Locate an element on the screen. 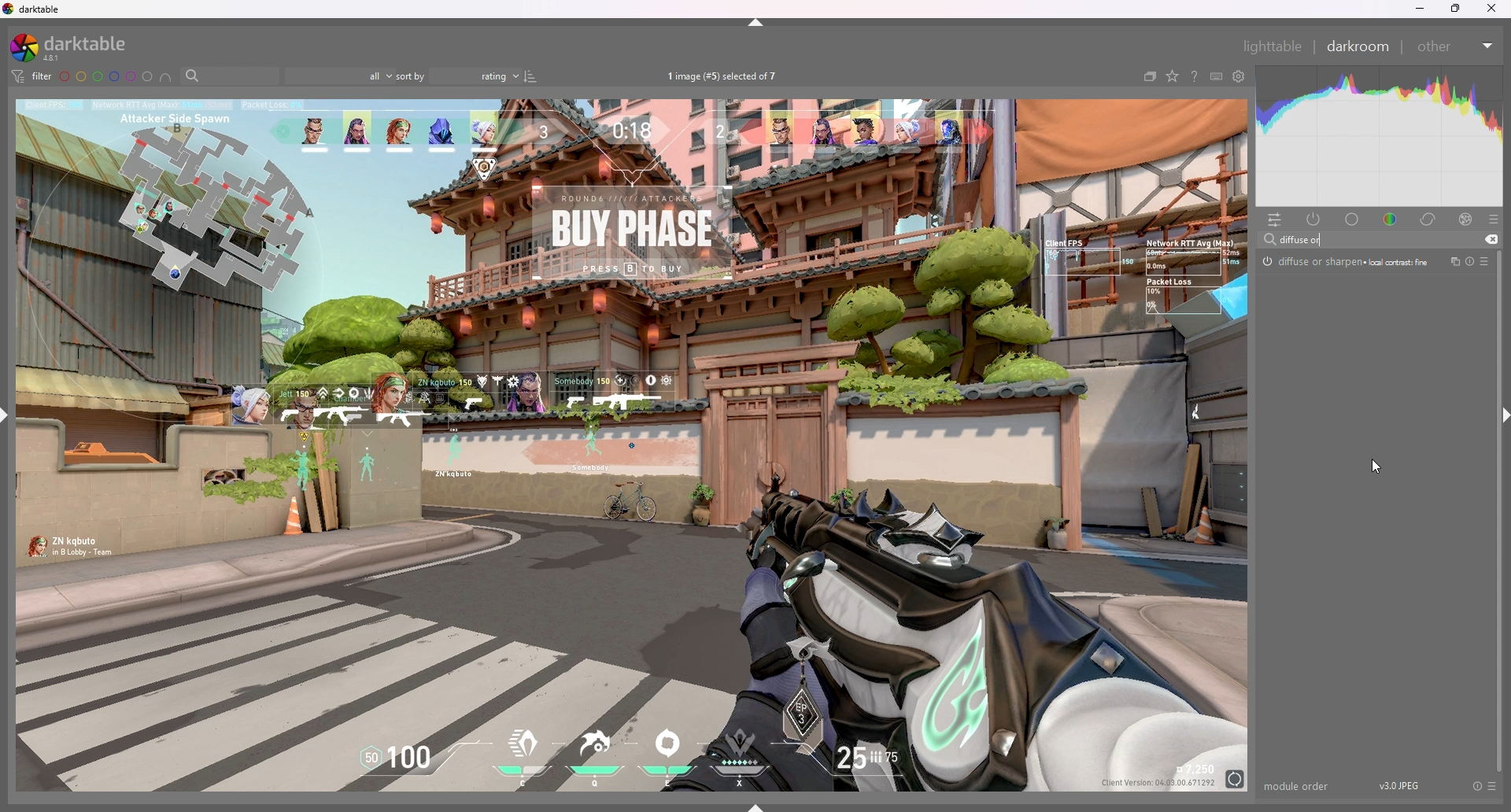 The height and width of the screenshot is (812, 1511). other is located at coordinates (1457, 46).